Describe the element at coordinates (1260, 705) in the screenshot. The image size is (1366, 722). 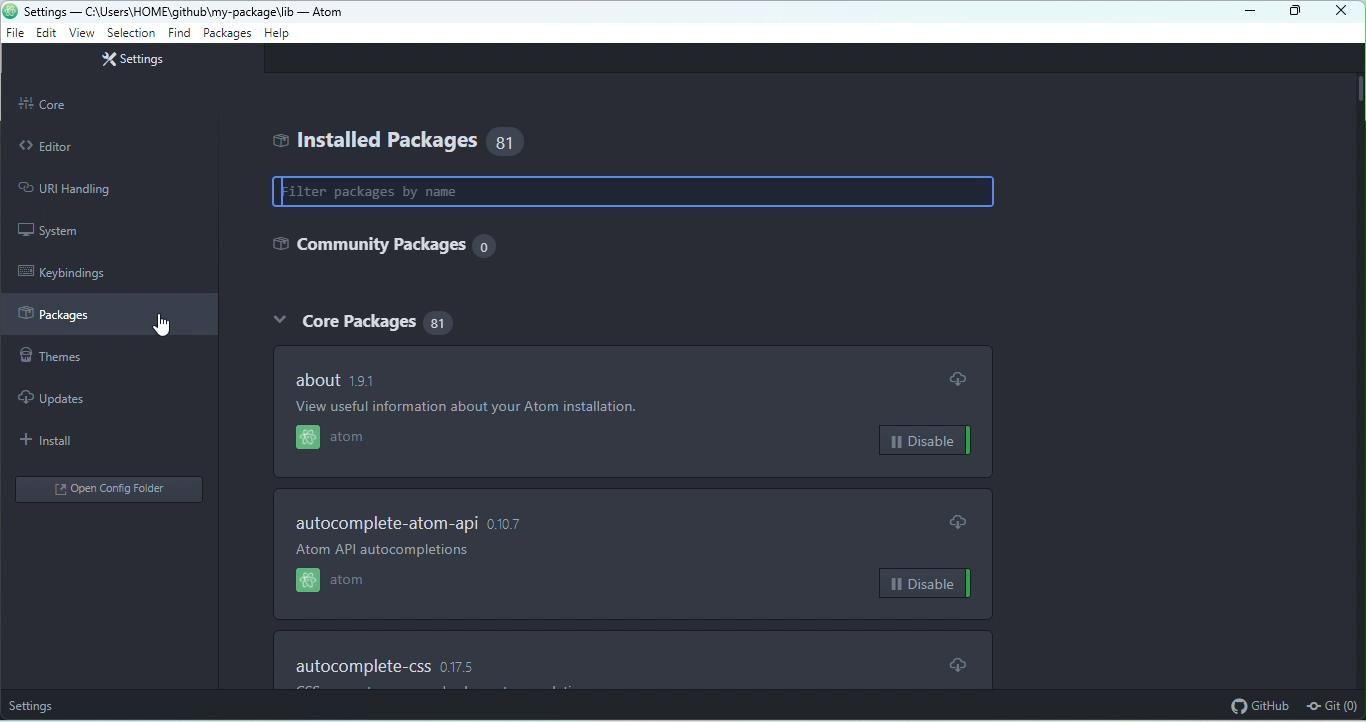
I see `github` at that location.